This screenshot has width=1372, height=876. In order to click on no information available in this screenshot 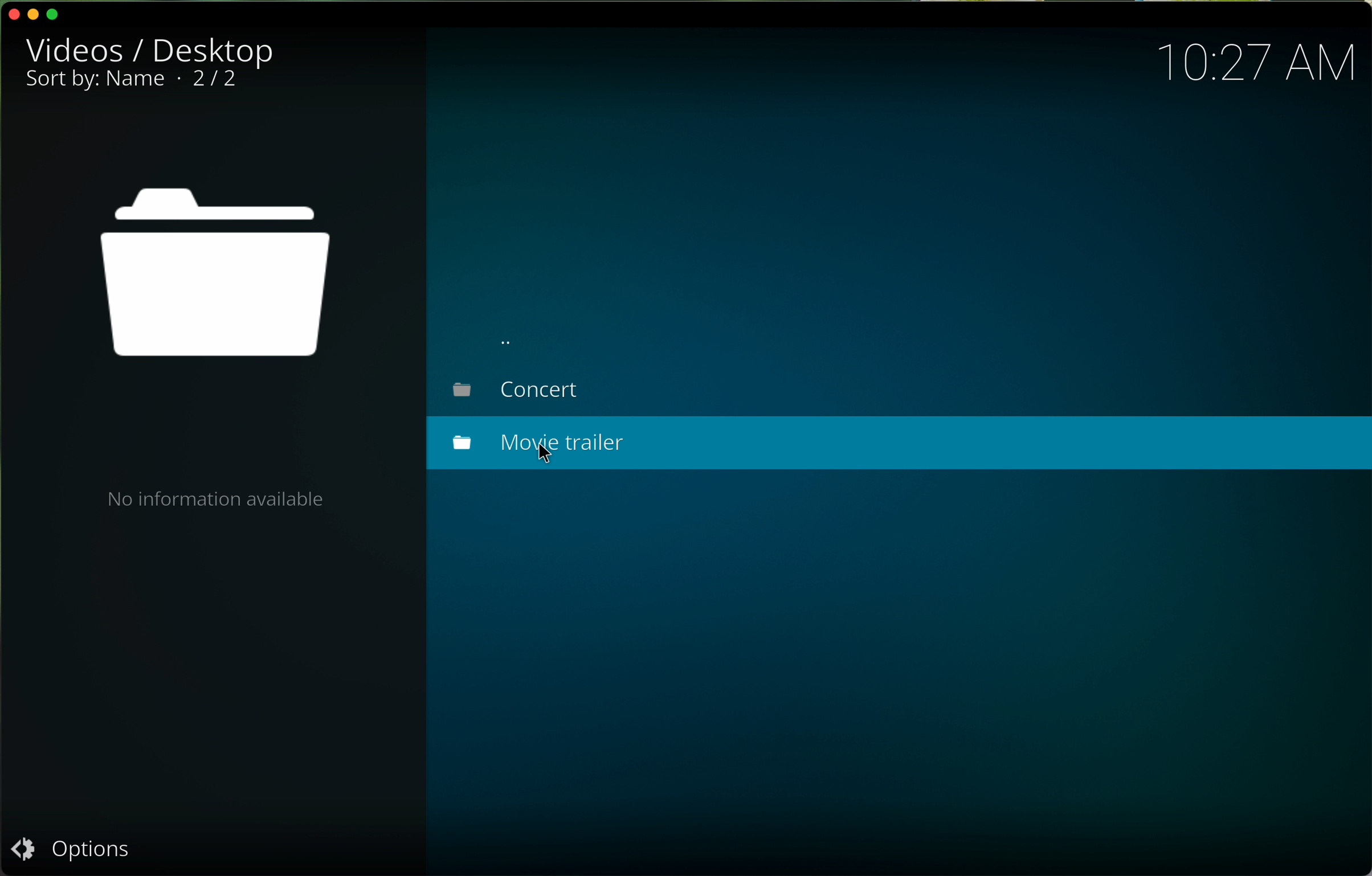, I will do `click(214, 498)`.